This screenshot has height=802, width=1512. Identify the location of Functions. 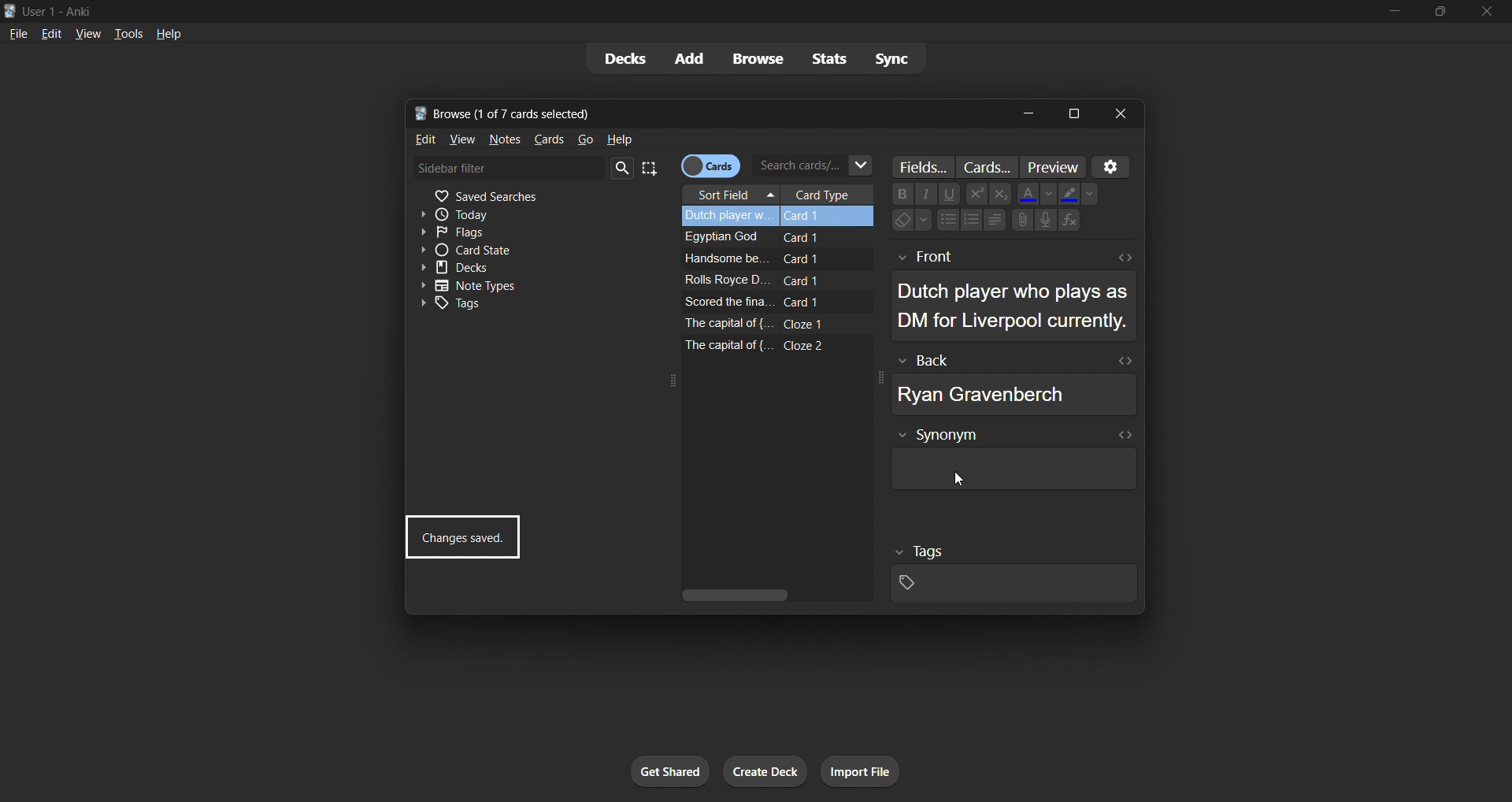
(1070, 221).